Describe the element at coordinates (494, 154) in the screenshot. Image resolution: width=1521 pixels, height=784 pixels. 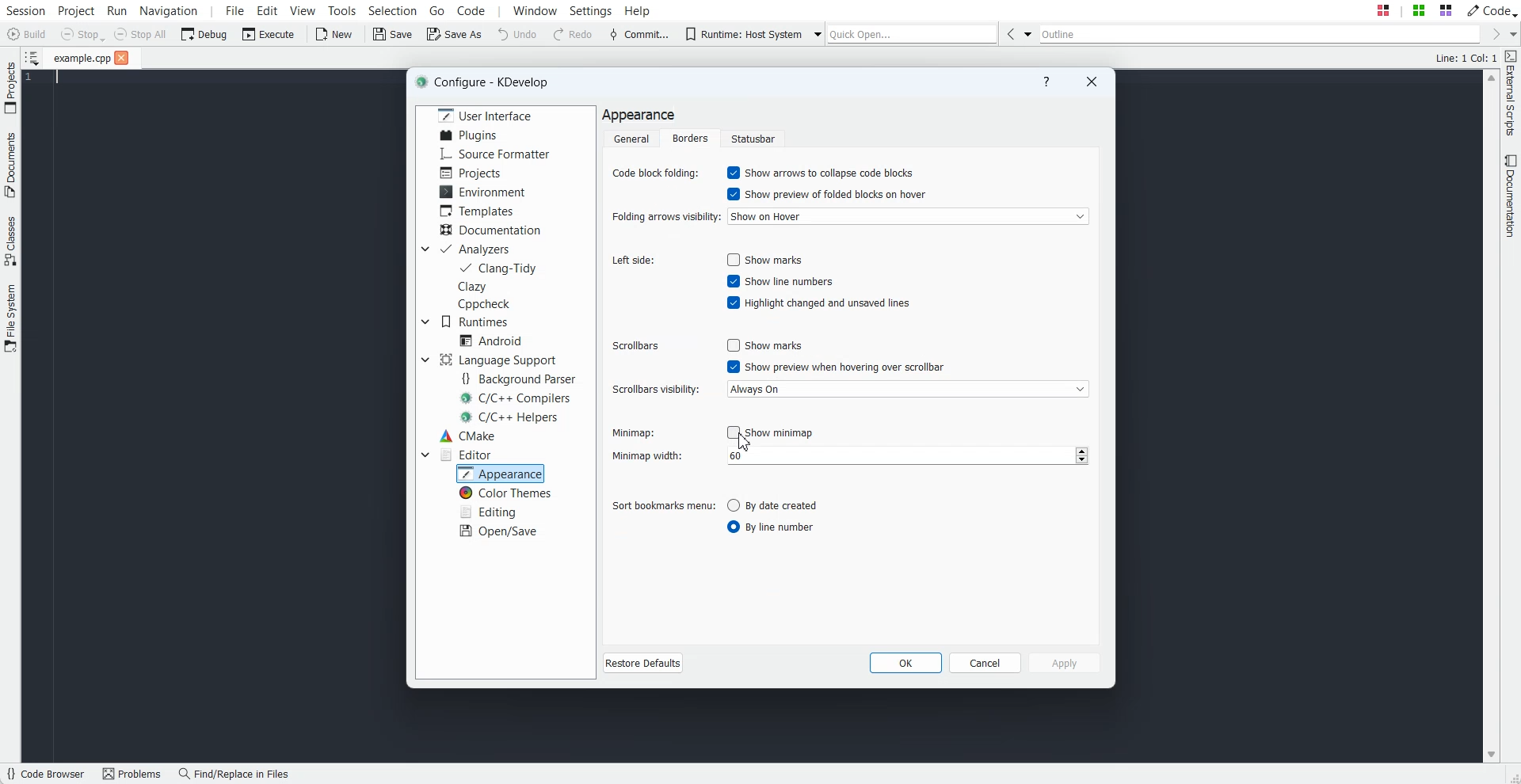
I see `Source Formatter` at that location.